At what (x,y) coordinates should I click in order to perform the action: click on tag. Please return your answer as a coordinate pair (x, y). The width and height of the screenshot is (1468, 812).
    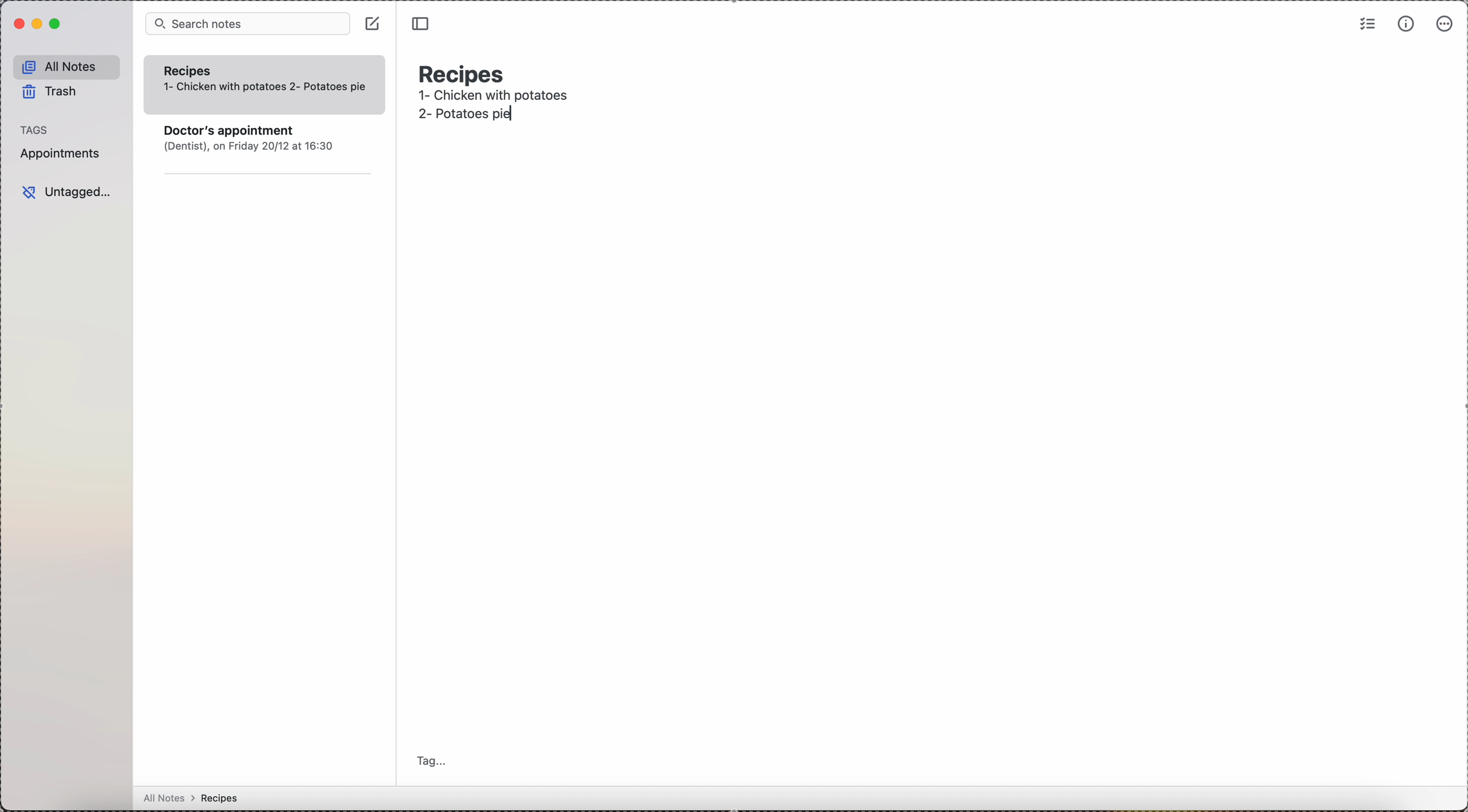
    Looking at the image, I should click on (437, 761).